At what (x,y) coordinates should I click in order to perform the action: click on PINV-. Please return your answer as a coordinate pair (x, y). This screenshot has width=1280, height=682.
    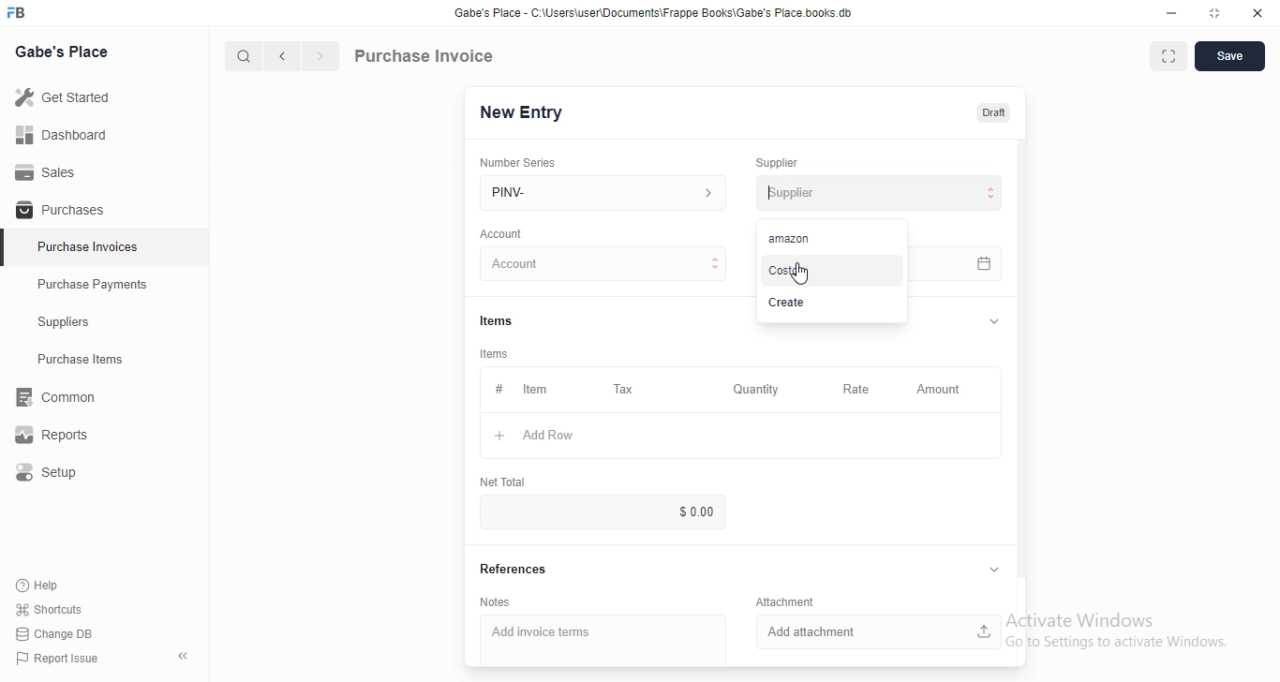
    Looking at the image, I should click on (603, 193).